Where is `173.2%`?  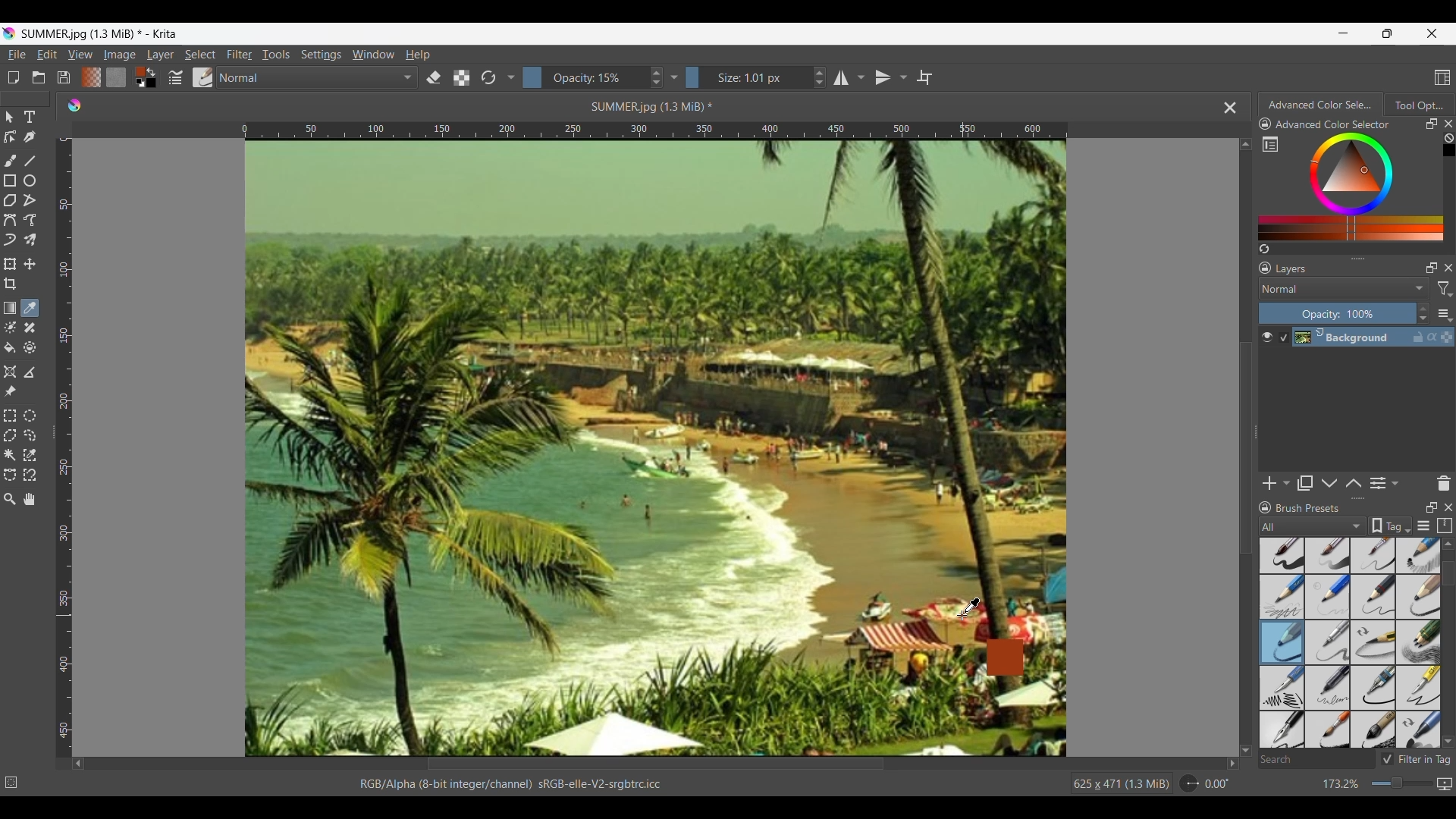
173.2% is located at coordinates (1341, 785).